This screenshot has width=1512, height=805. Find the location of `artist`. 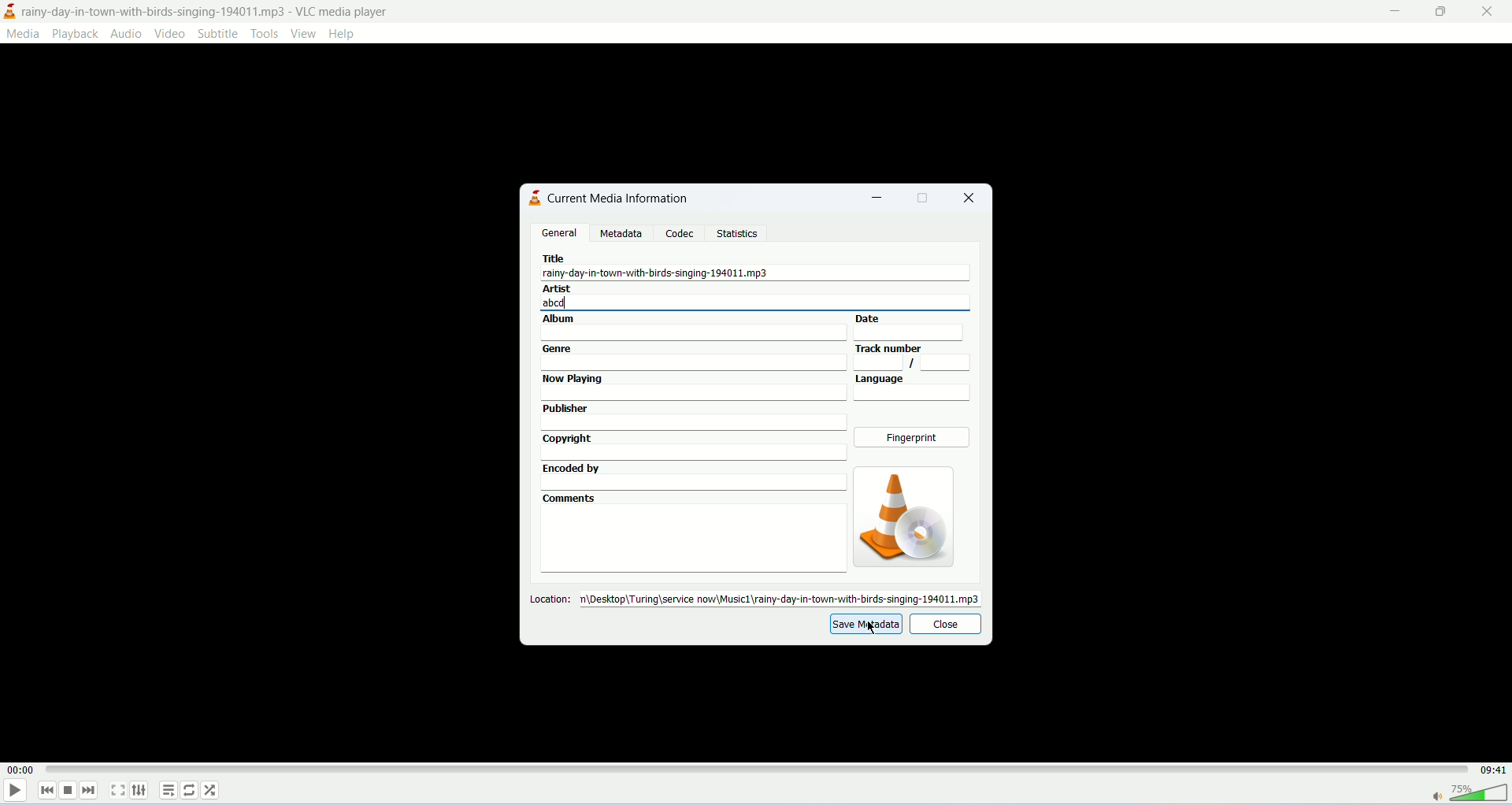

artist is located at coordinates (755, 297).